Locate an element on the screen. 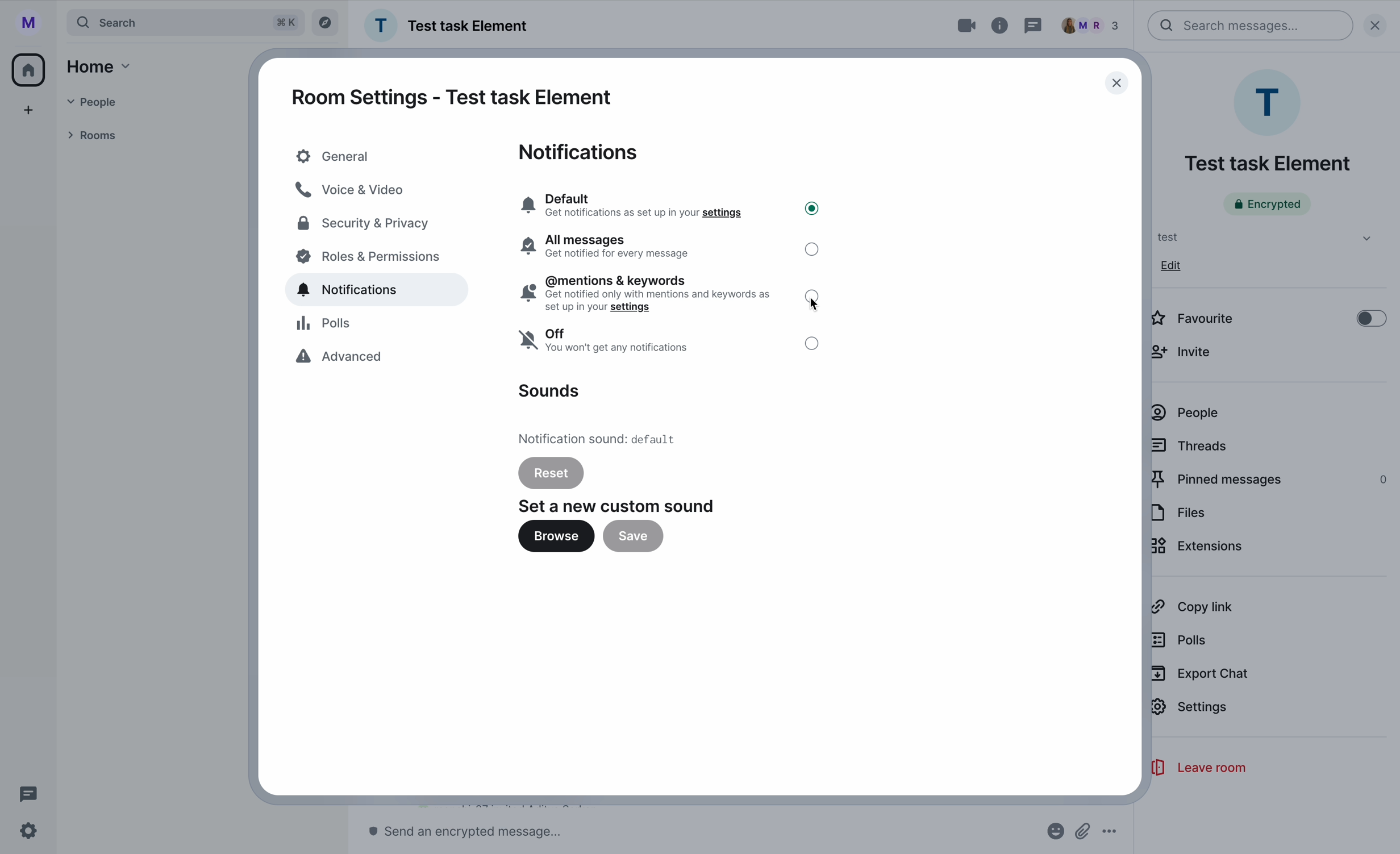 The height and width of the screenshot is (854, 1400). export chat is located at coordinates (1201, 674).